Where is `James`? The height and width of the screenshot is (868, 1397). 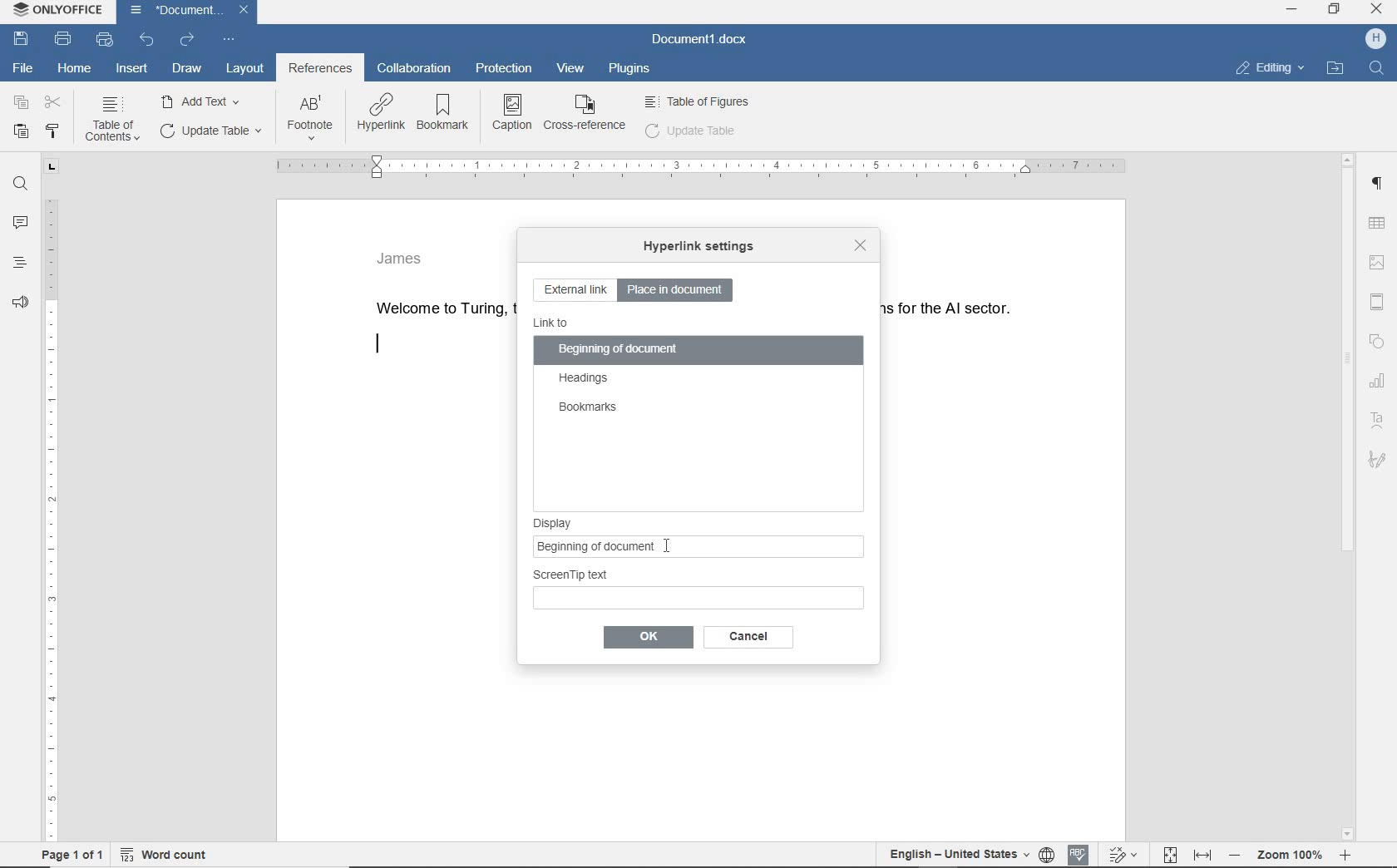
James is located at coordinates (401, 257).